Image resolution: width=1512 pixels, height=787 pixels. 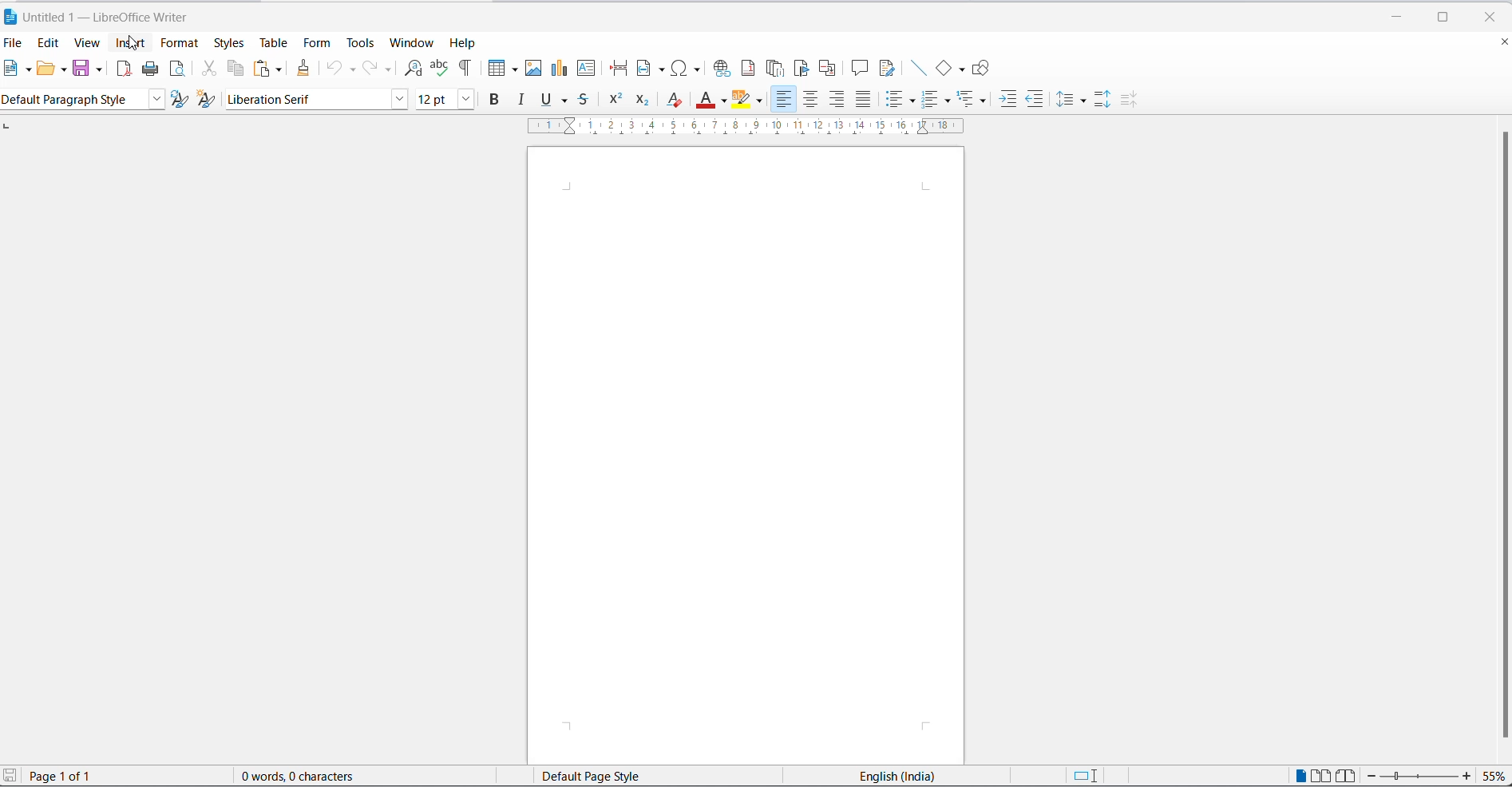 I want to click on find and replace, so click(x=414, y=66).